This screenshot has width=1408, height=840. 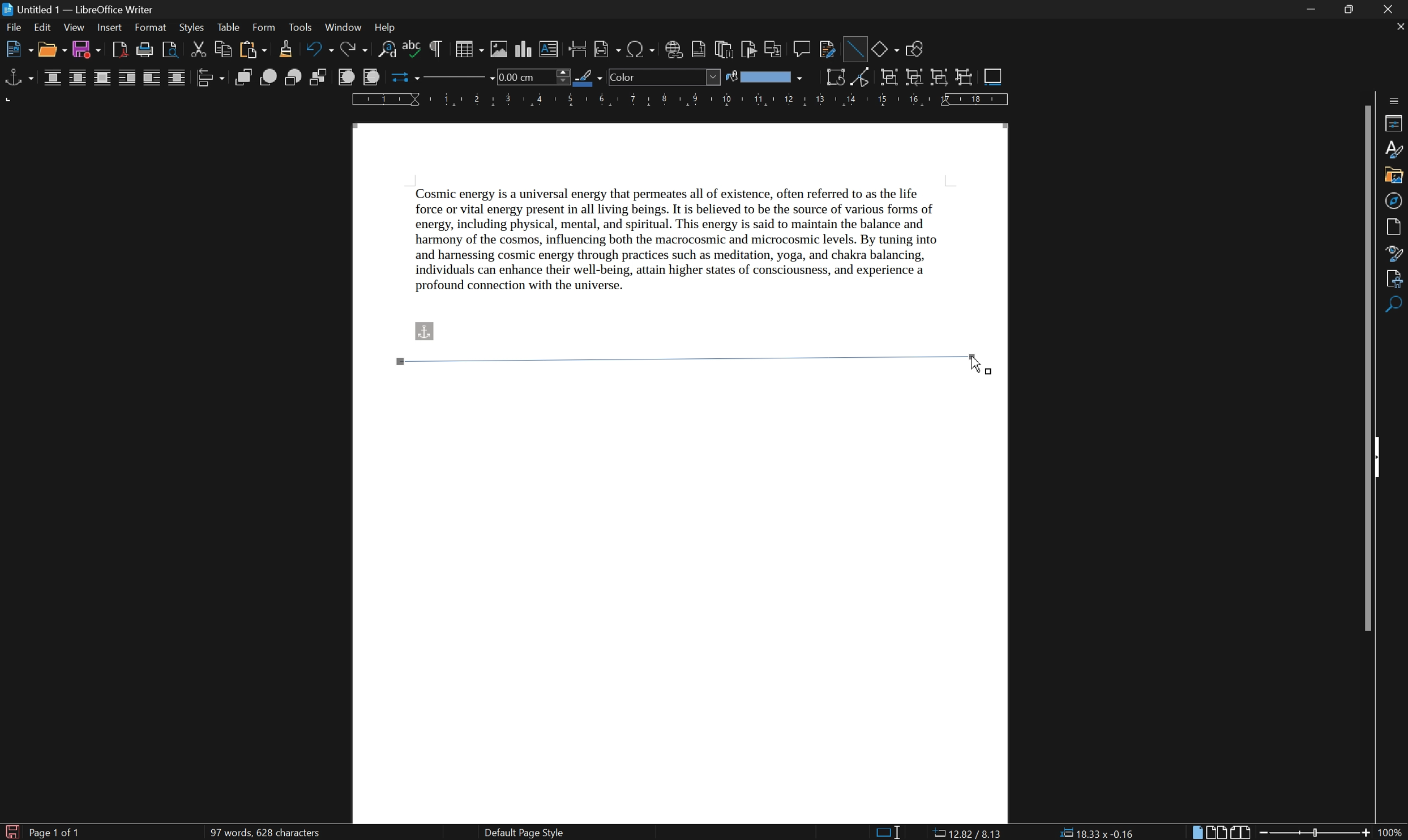 What do you see at coordinates (387, 50) in the screenshot?
I see `find and replace` at bounding box center [387, 50].